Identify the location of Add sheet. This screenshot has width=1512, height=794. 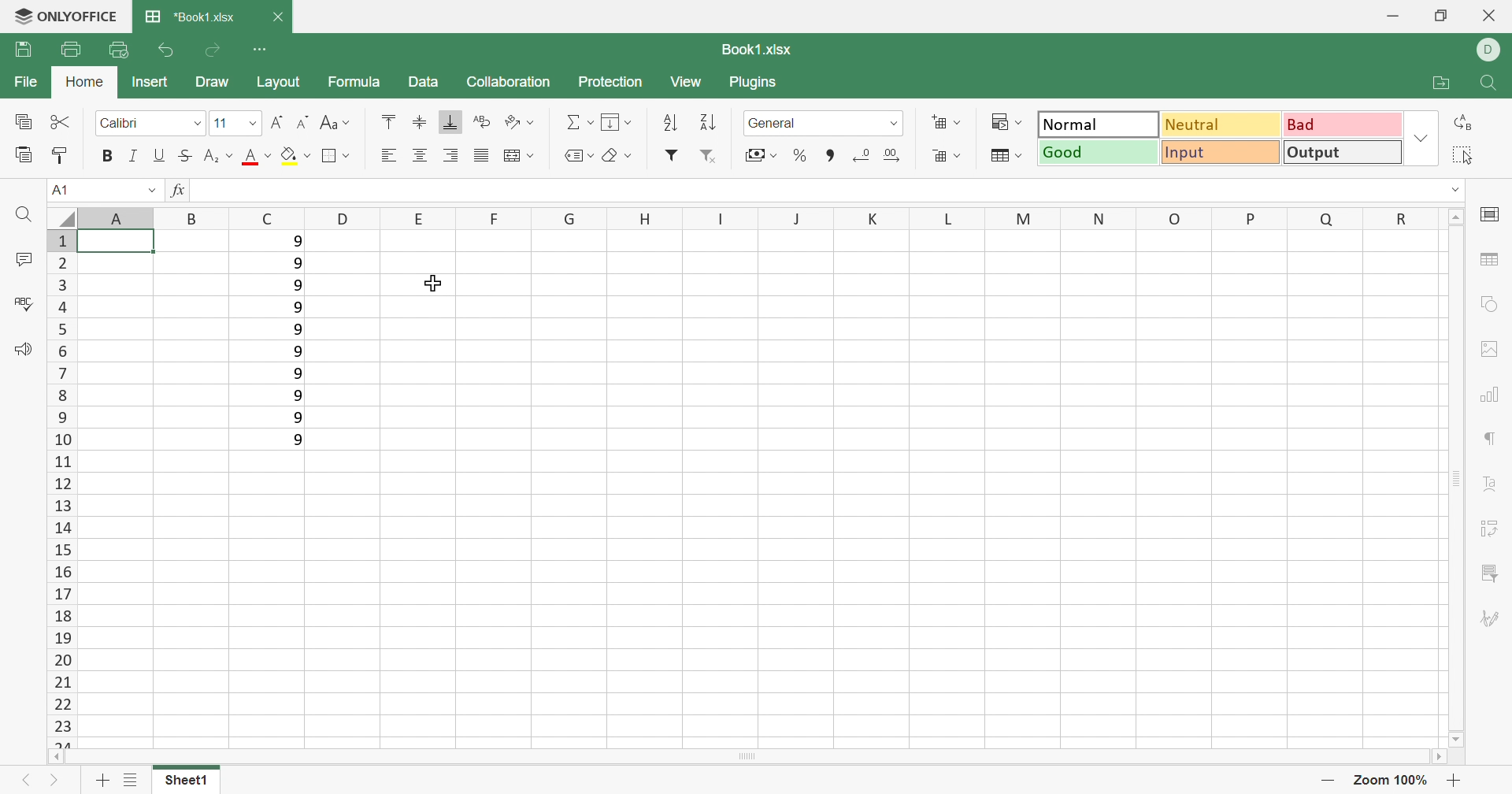
(103, 780).